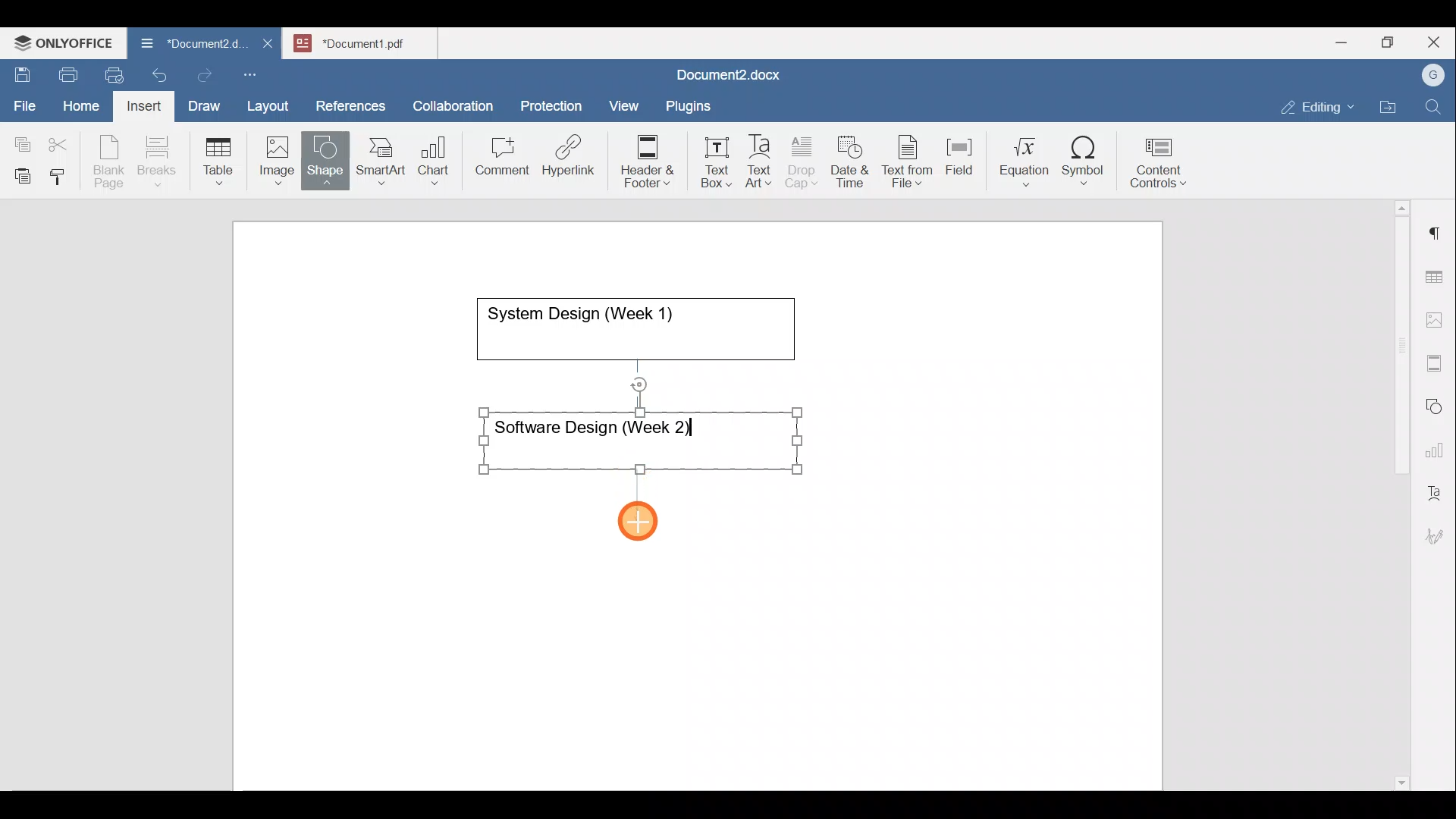  Describe the element at coordinates (156, 162) in the screenshot. I see `Breaks` at that location.